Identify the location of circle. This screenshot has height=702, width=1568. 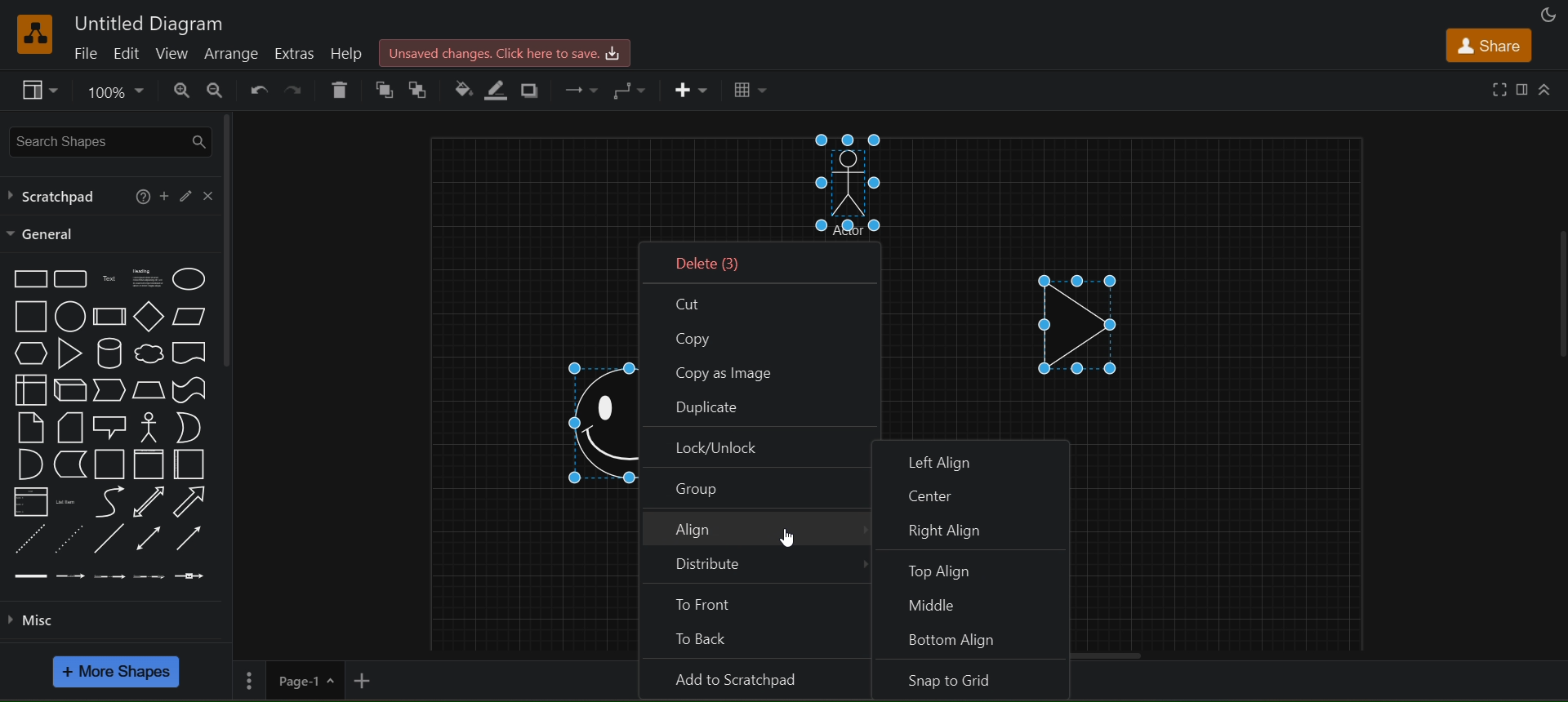
(69, 314).